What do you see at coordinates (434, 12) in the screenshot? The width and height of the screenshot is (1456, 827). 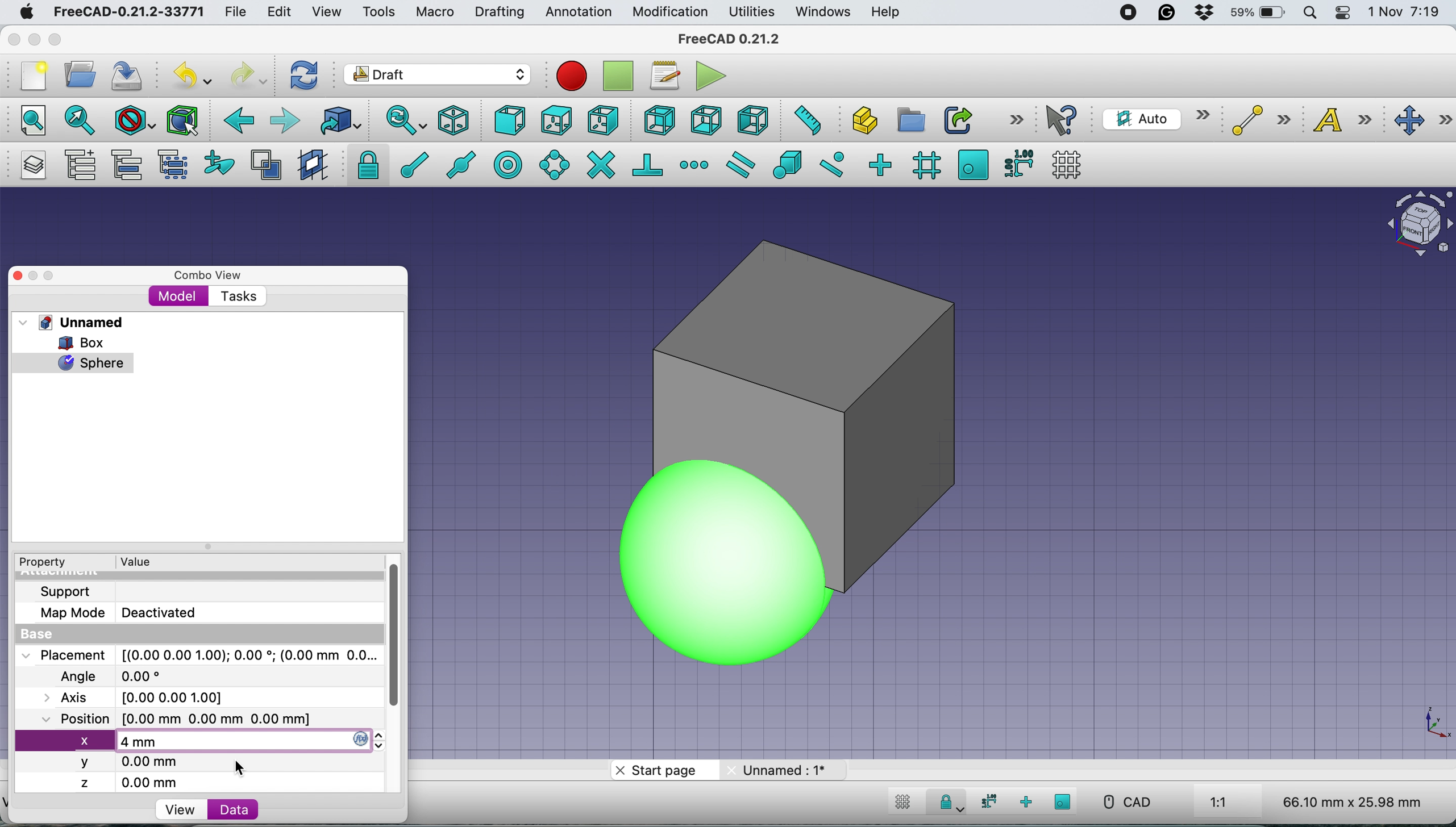 I see `macro` at bounding box center [434, 12].